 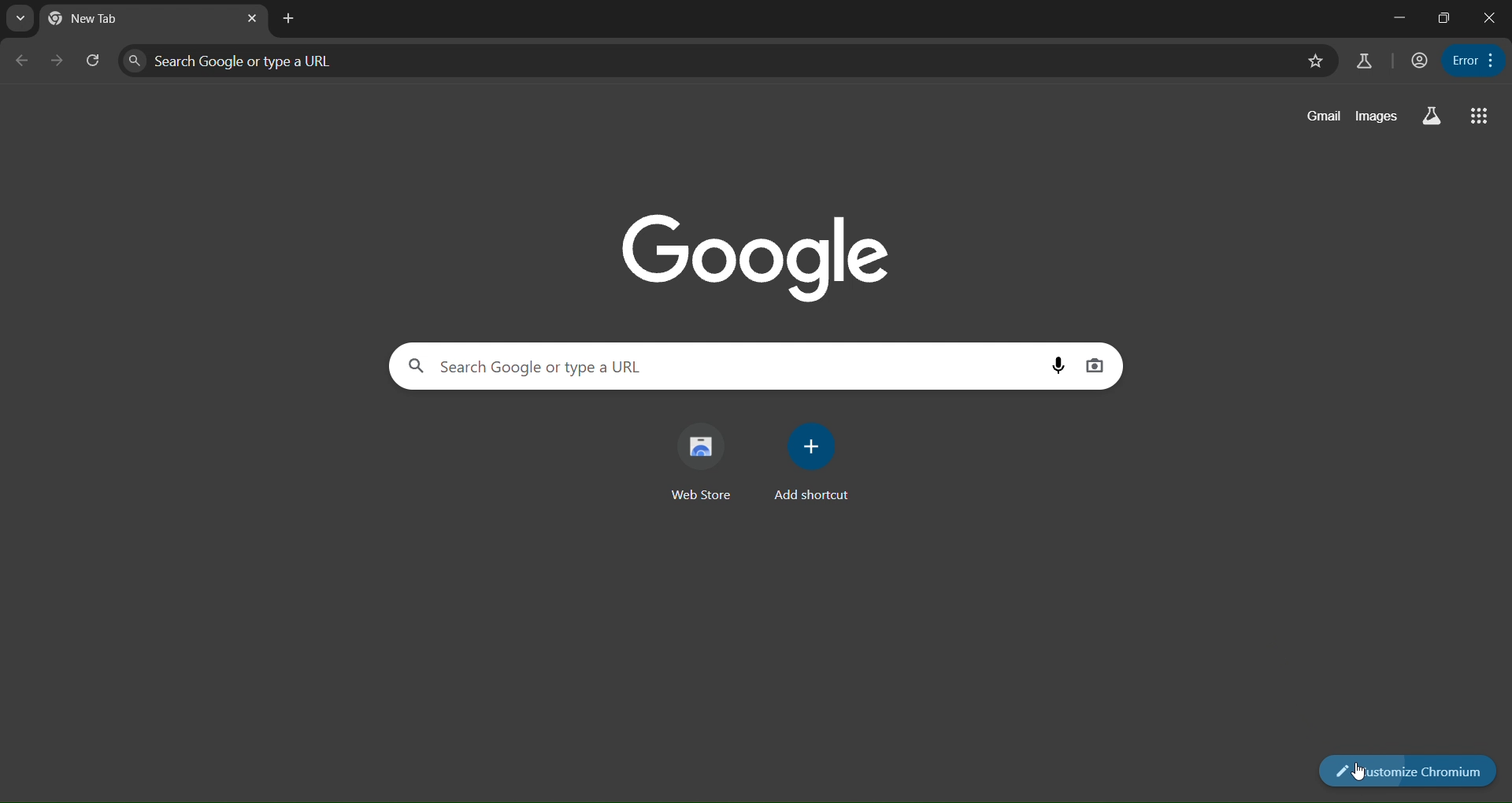 I want to click on search tabs, so click(x=20, y=18).